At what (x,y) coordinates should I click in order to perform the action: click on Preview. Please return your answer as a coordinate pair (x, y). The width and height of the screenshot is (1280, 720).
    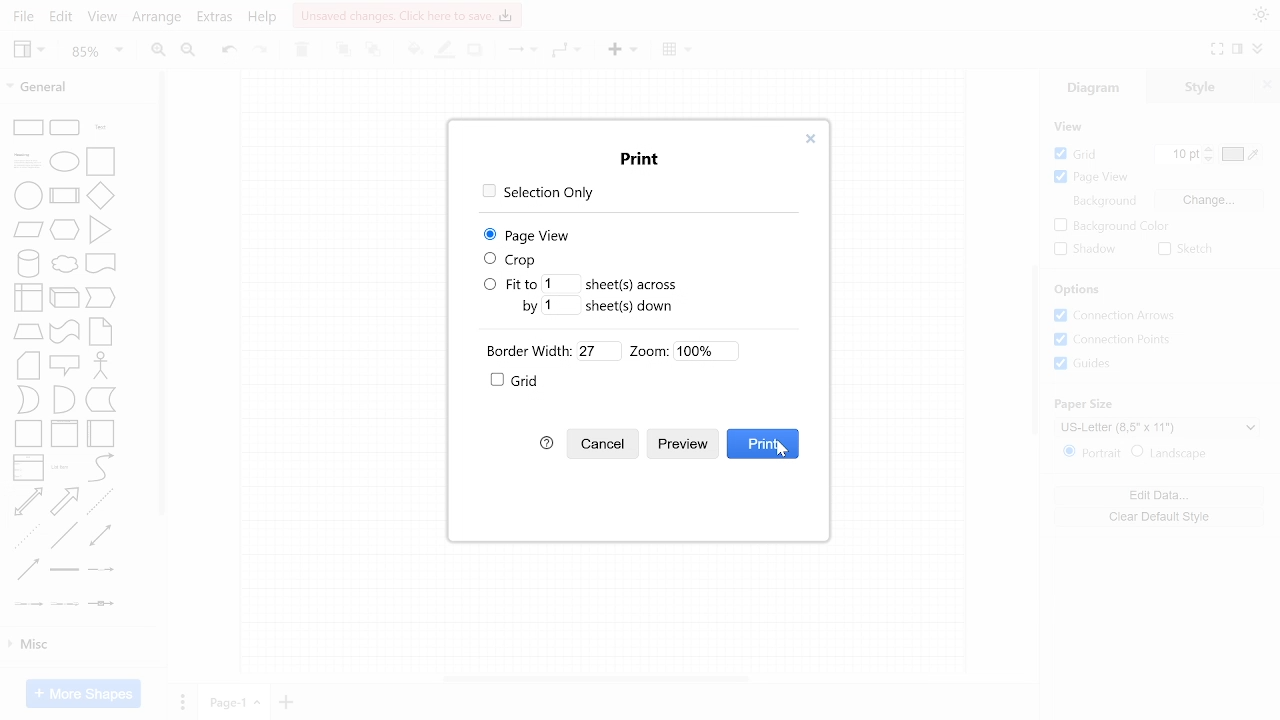
    Looking at the image, I should click on (679, 445).